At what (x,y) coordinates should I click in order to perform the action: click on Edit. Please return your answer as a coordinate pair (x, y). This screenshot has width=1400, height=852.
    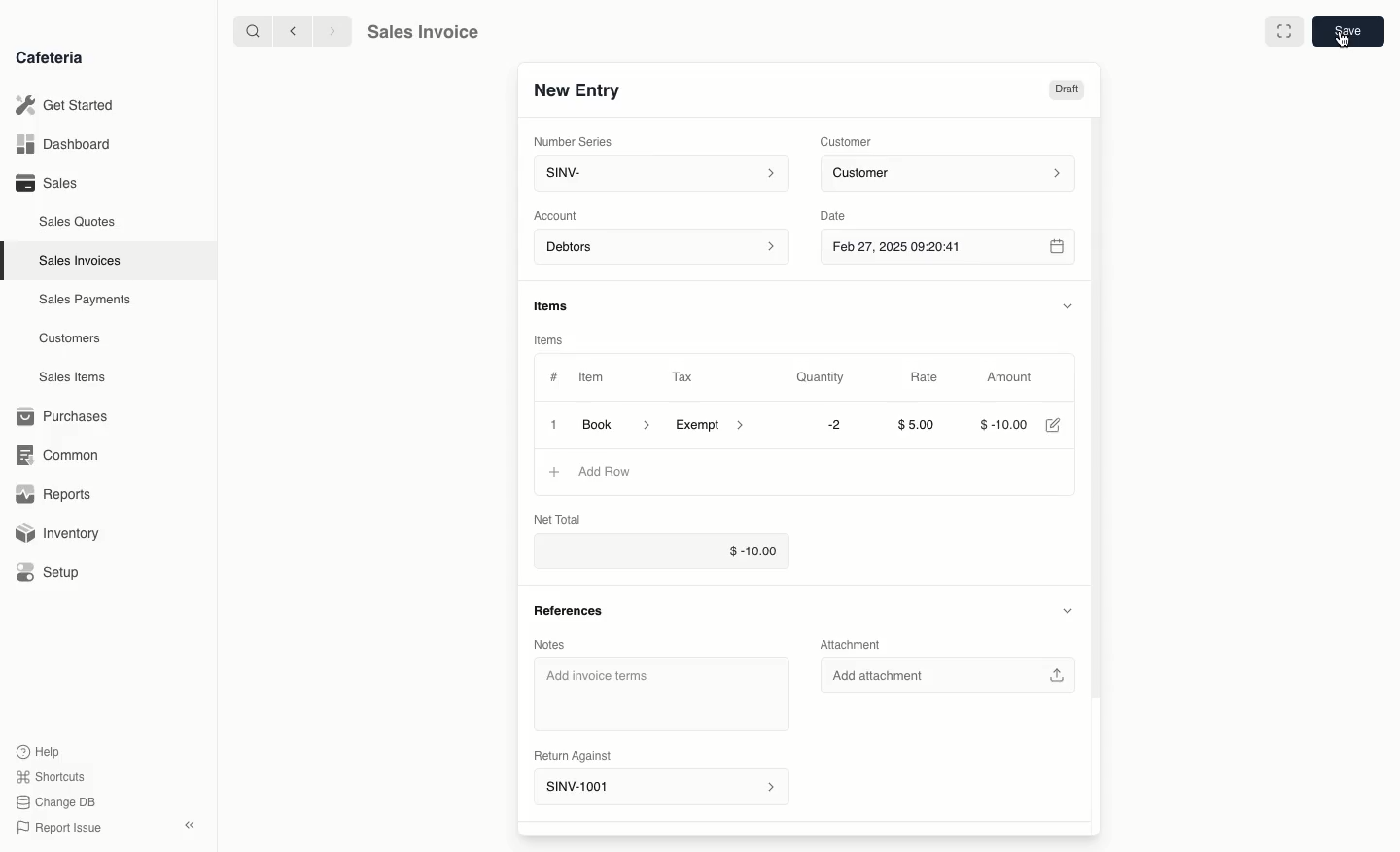
    Looking at the image, I should click on (1061, 425).